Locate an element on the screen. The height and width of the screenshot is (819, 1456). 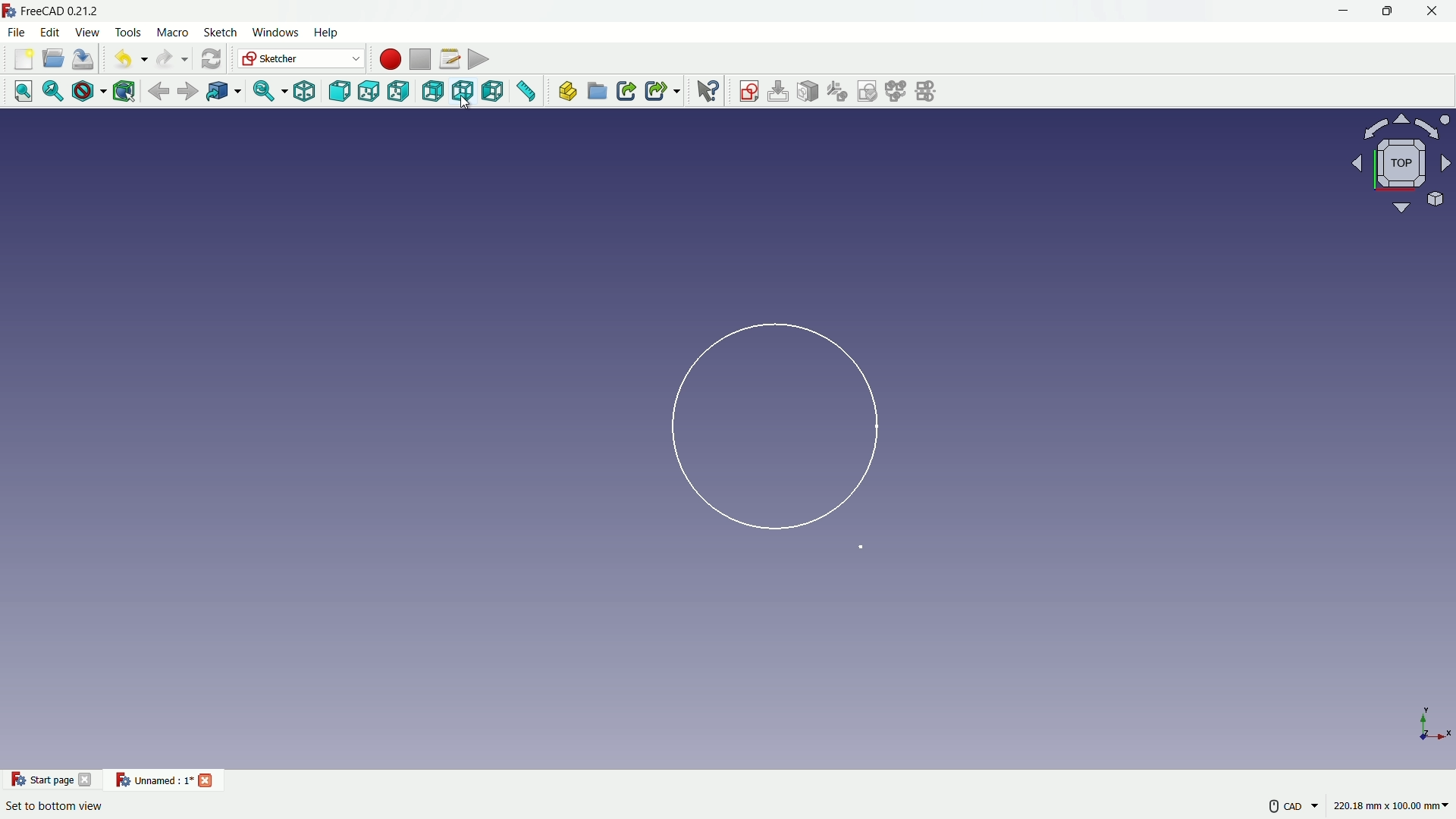
make sublink is located at coordinates (662, 92).